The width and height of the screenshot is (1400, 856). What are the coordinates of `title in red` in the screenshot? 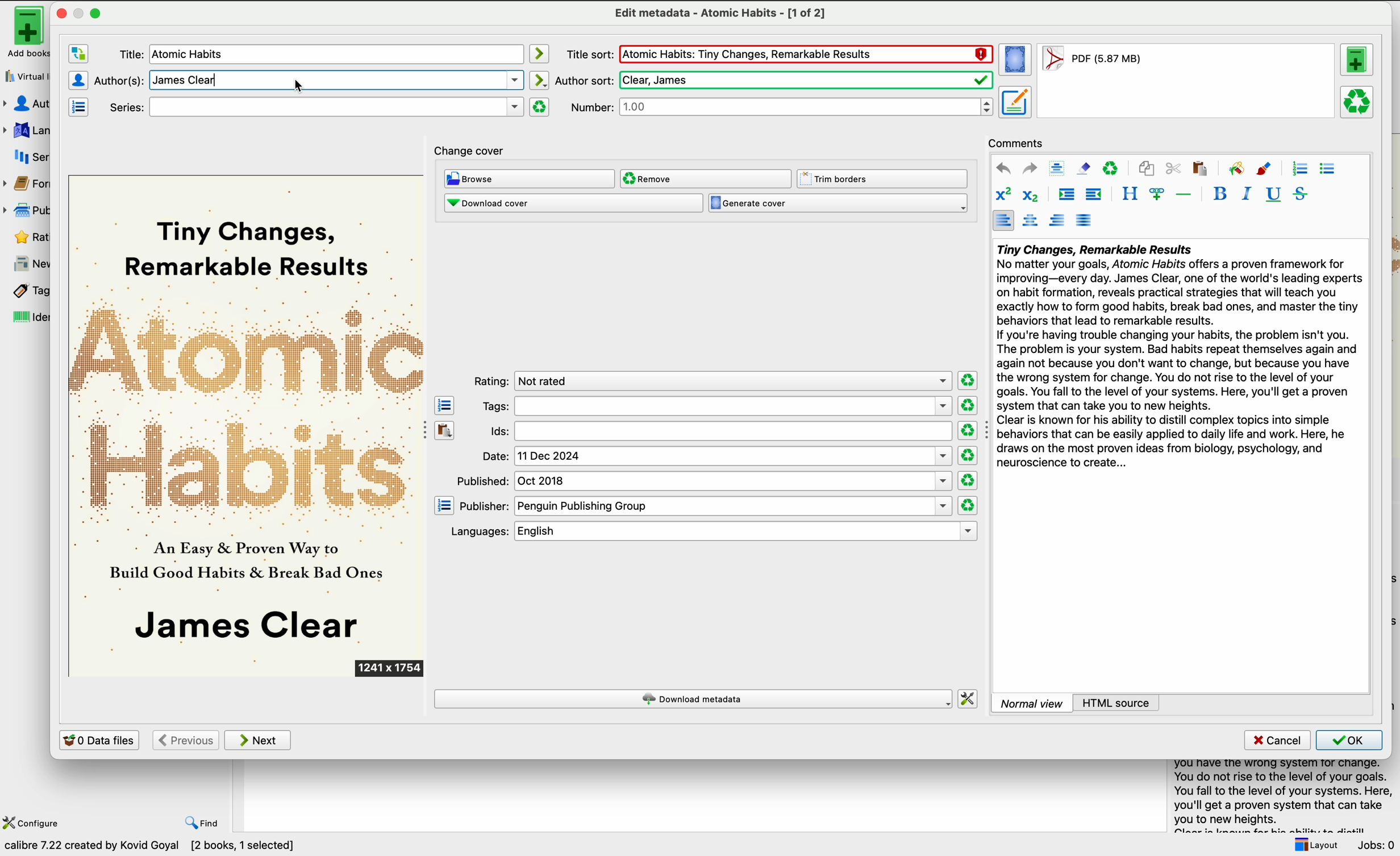 It's located at (806, 55).